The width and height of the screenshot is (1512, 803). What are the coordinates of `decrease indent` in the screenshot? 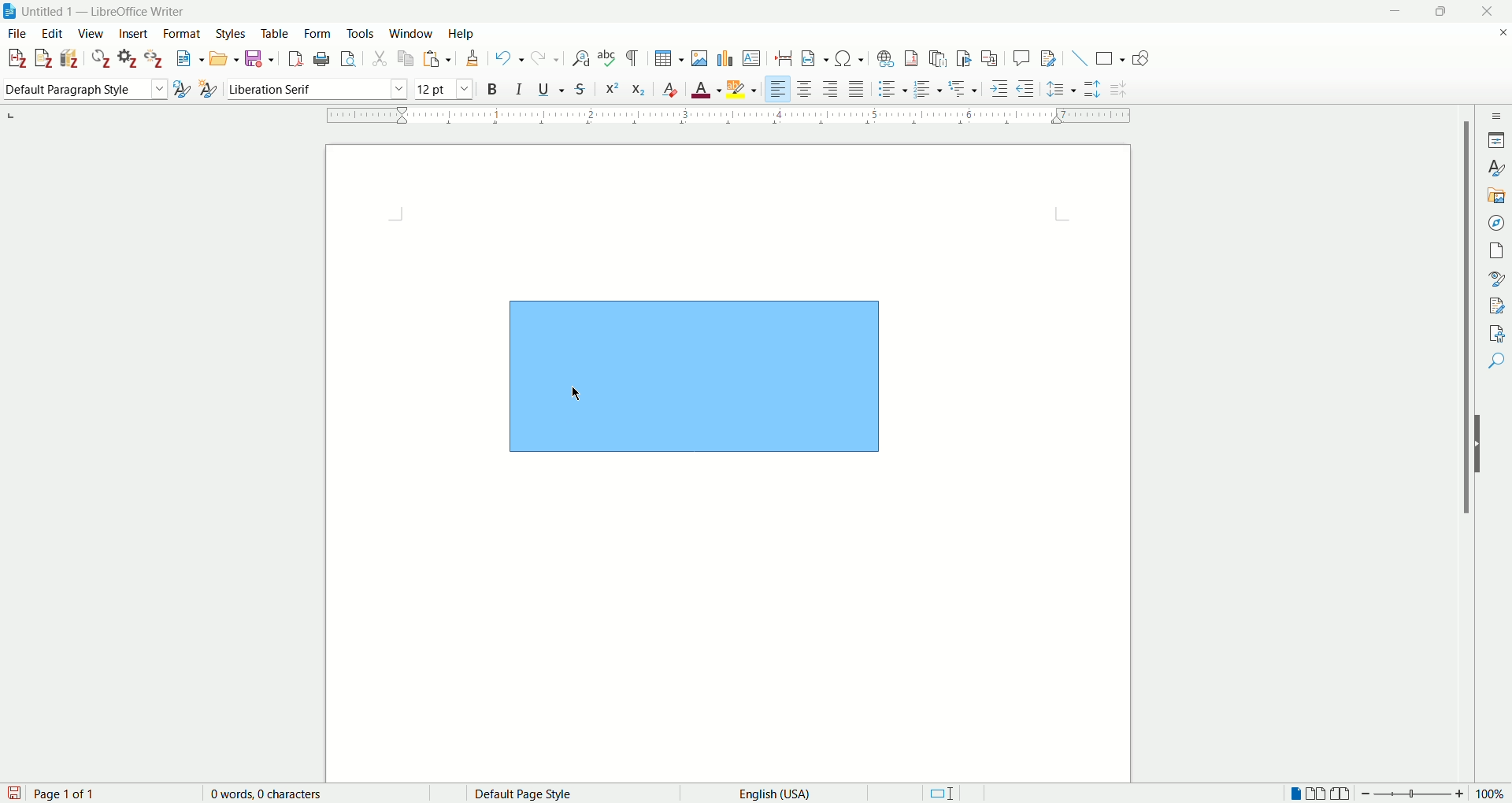 It's located at (1025, 89).